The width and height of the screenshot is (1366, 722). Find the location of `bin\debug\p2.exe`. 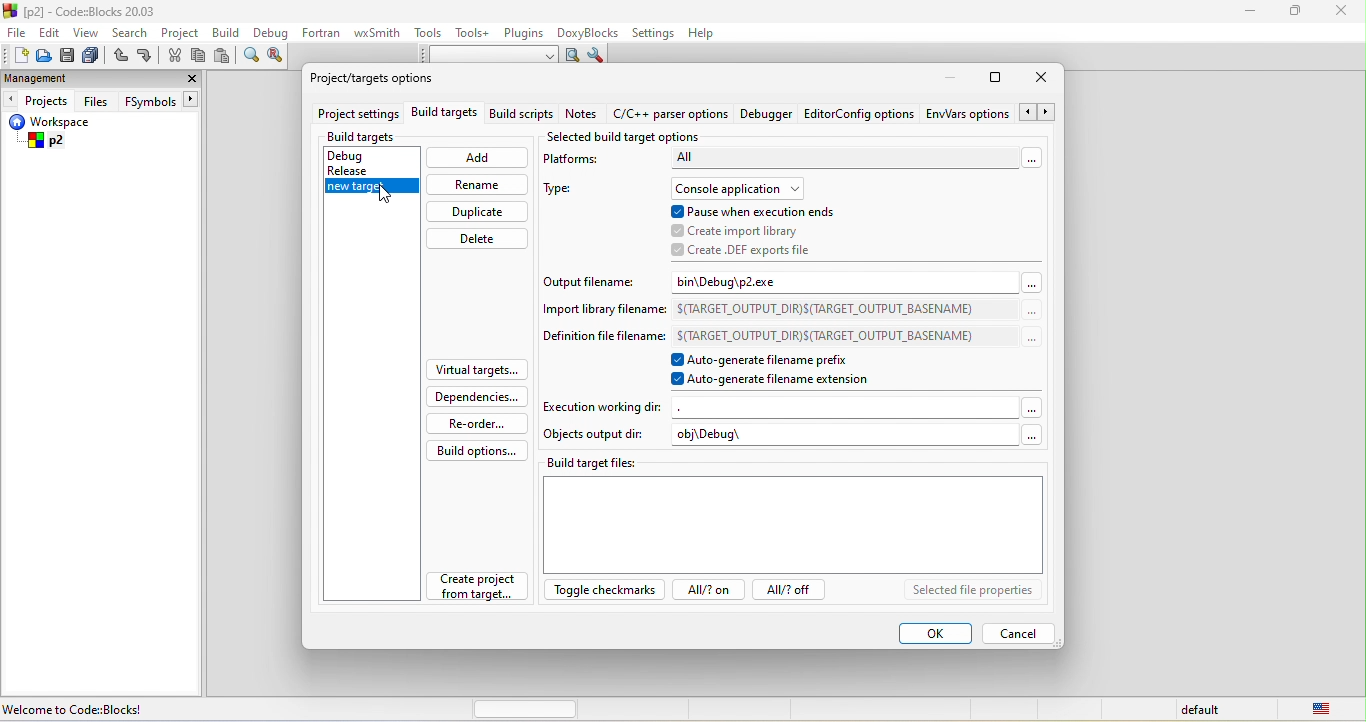

bin\debug\p2.exe is located at coordinates (855, 281).